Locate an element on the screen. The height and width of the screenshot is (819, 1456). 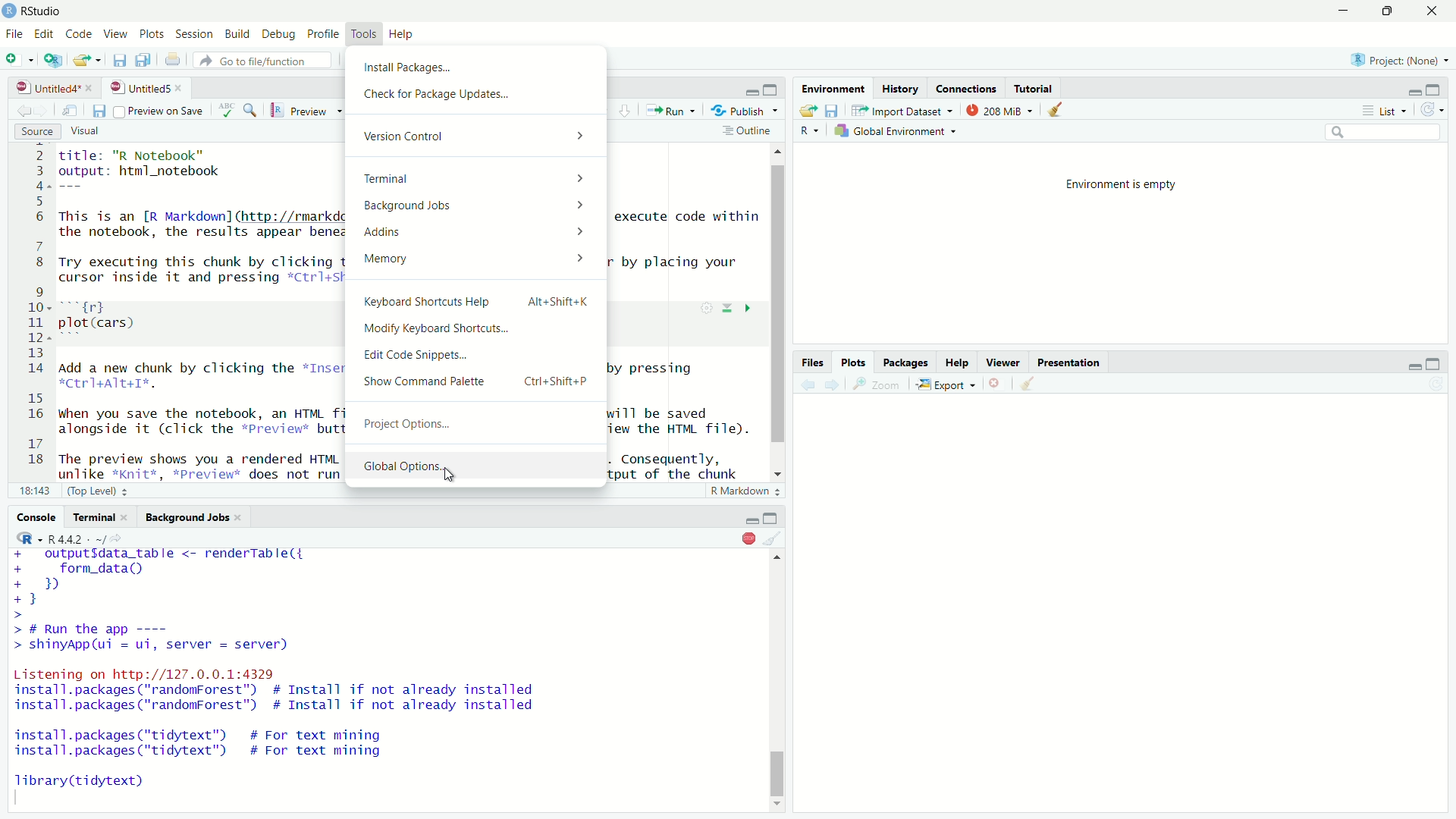
Global Environment  is located at coordinates (896, 131).